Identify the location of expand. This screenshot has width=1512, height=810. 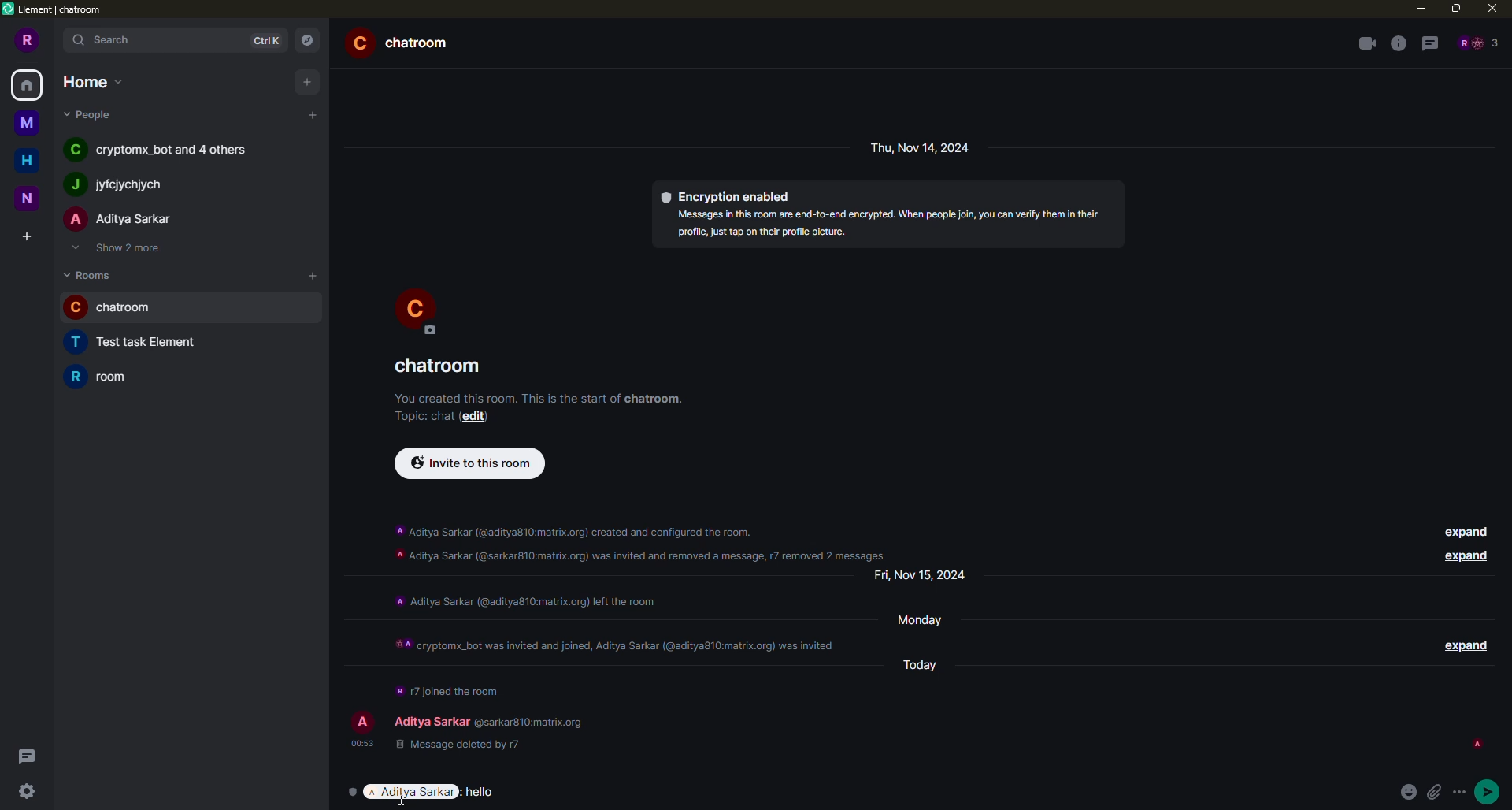
(1463, 643).